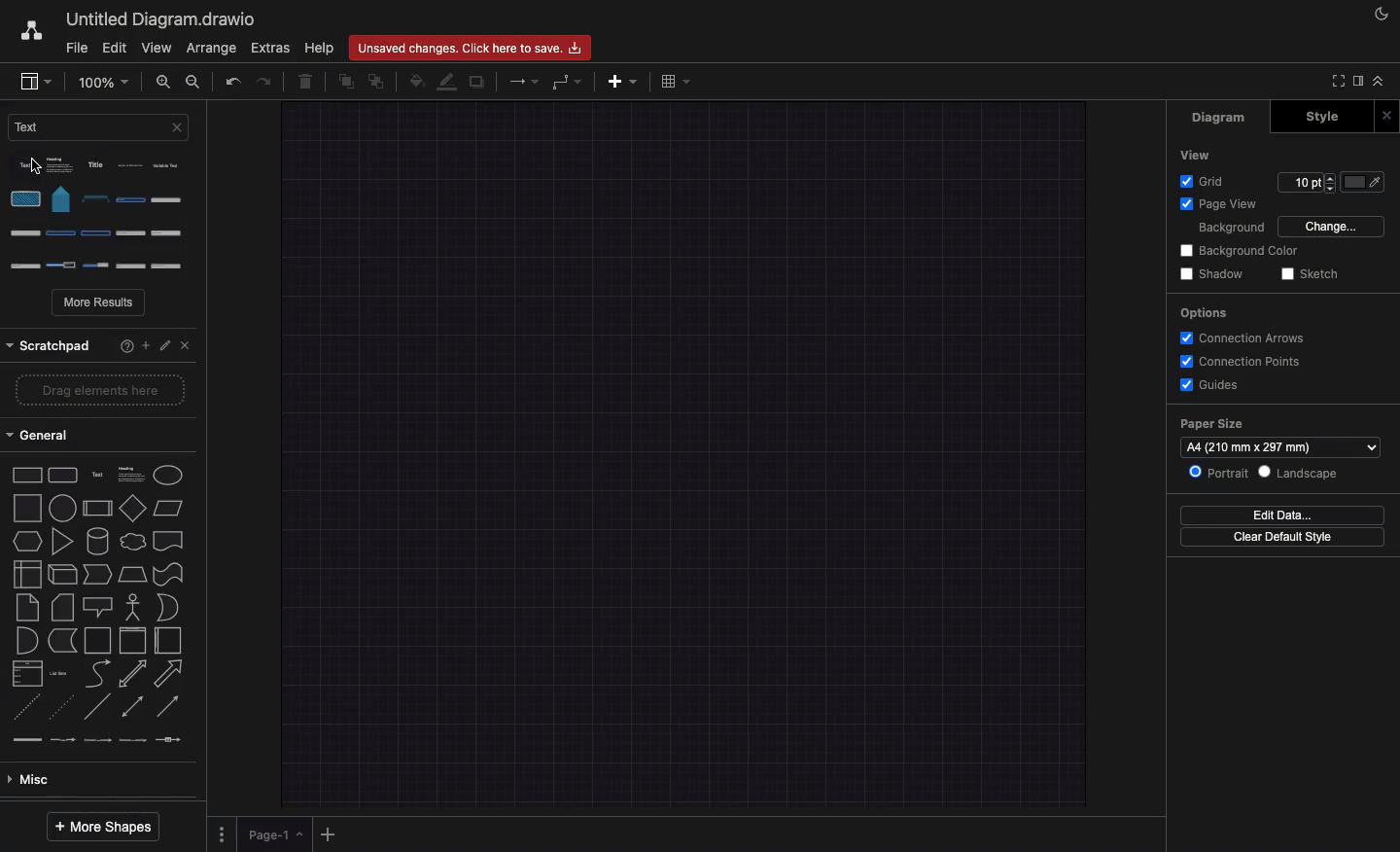  What do you see at coordinates (157, 49) in the screenshot?
I see `View` at bounding box center [157, 49].